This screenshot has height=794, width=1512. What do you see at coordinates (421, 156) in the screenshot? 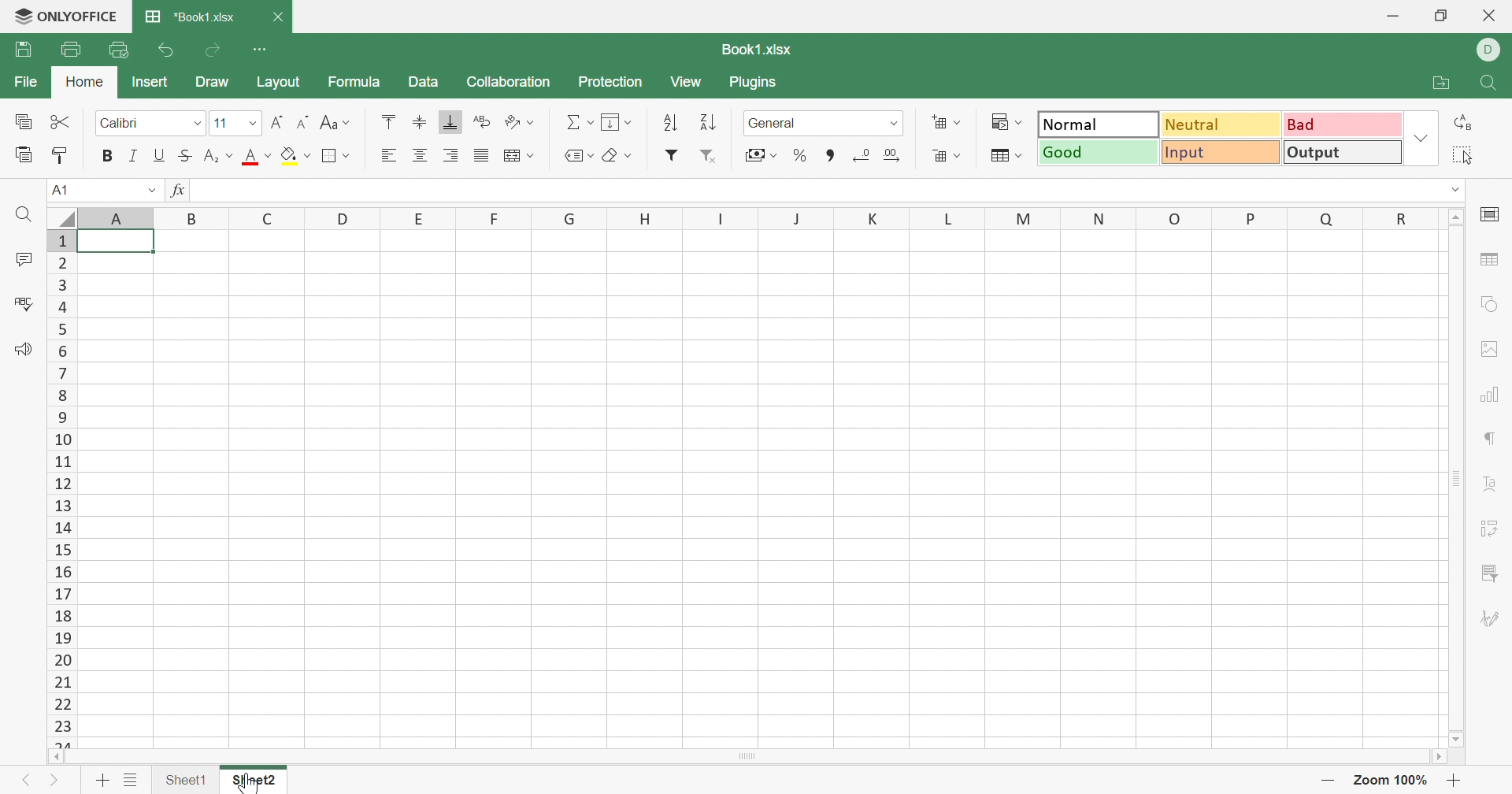
I see `Align Center` at bounding box center [421, 156].